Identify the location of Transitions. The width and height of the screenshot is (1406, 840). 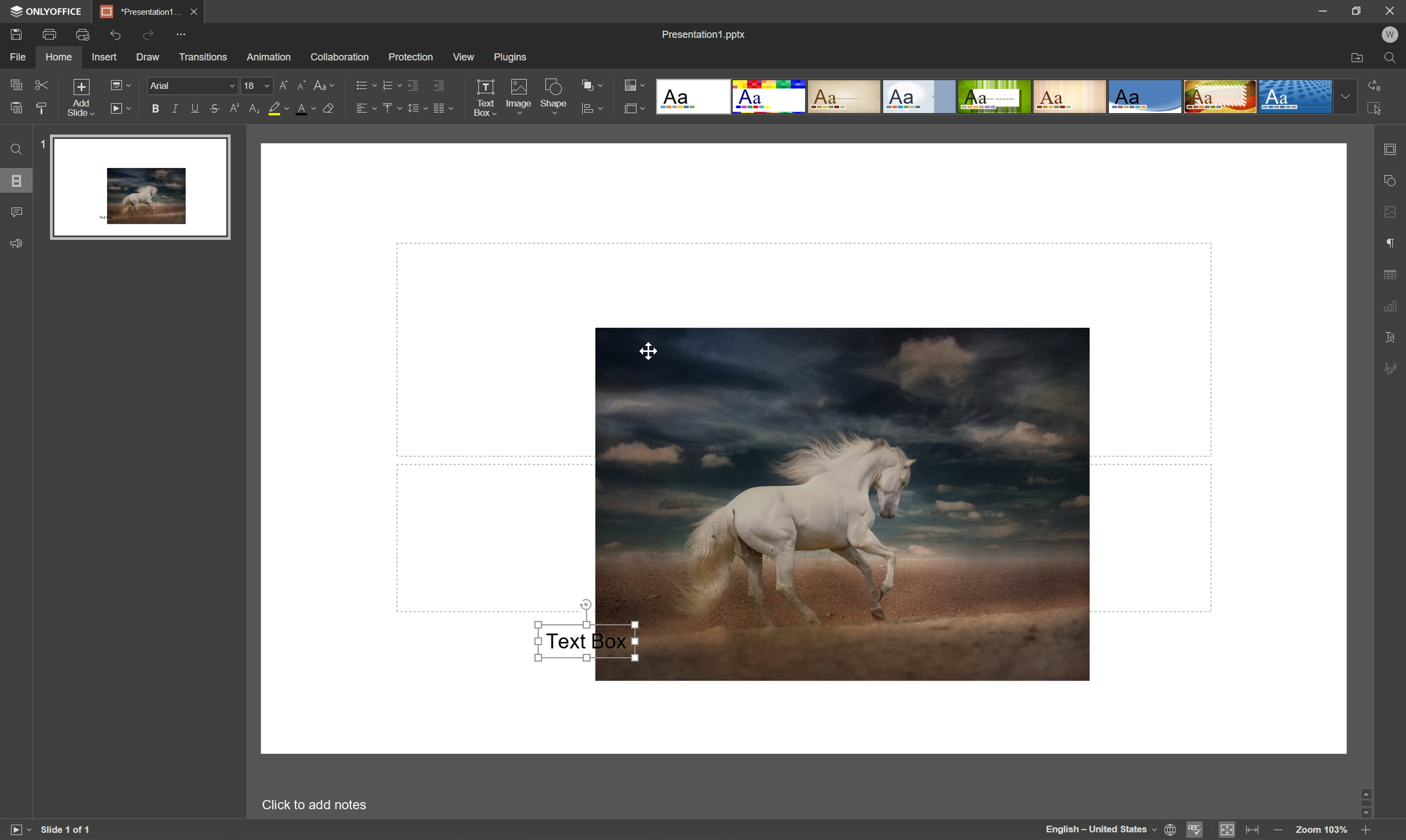
(203, 57).